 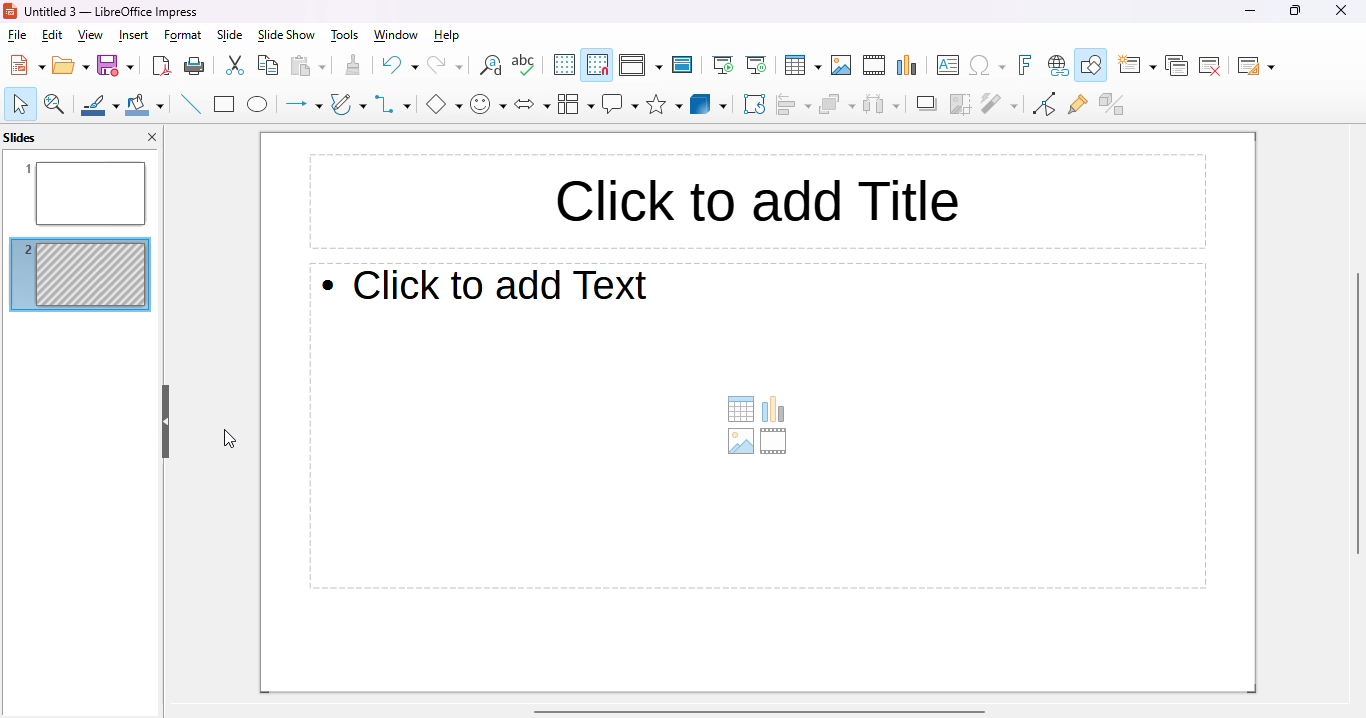 I want to click on tools, so click(x=344, y=36).